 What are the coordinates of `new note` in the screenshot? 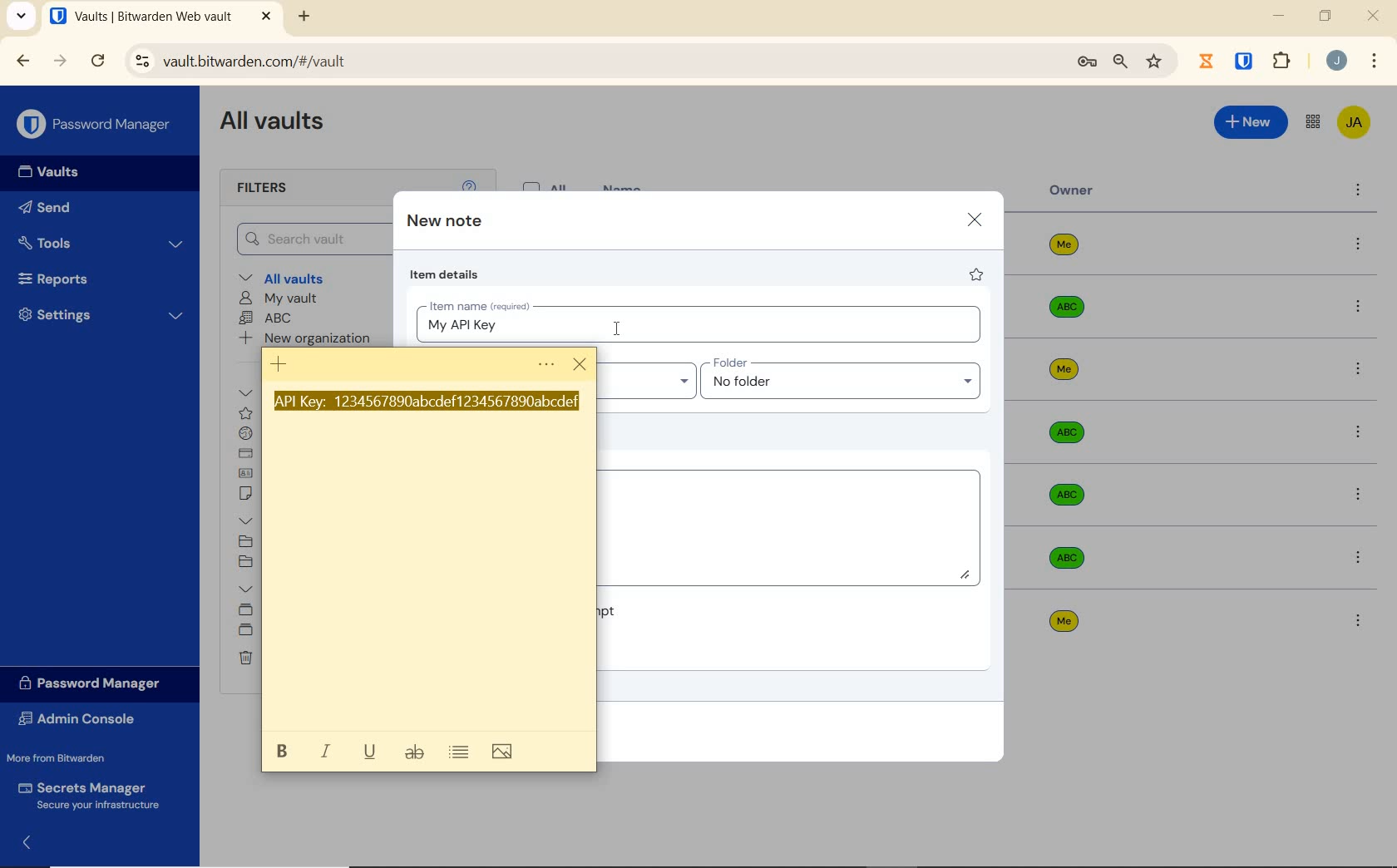 It's located at (444, 222).